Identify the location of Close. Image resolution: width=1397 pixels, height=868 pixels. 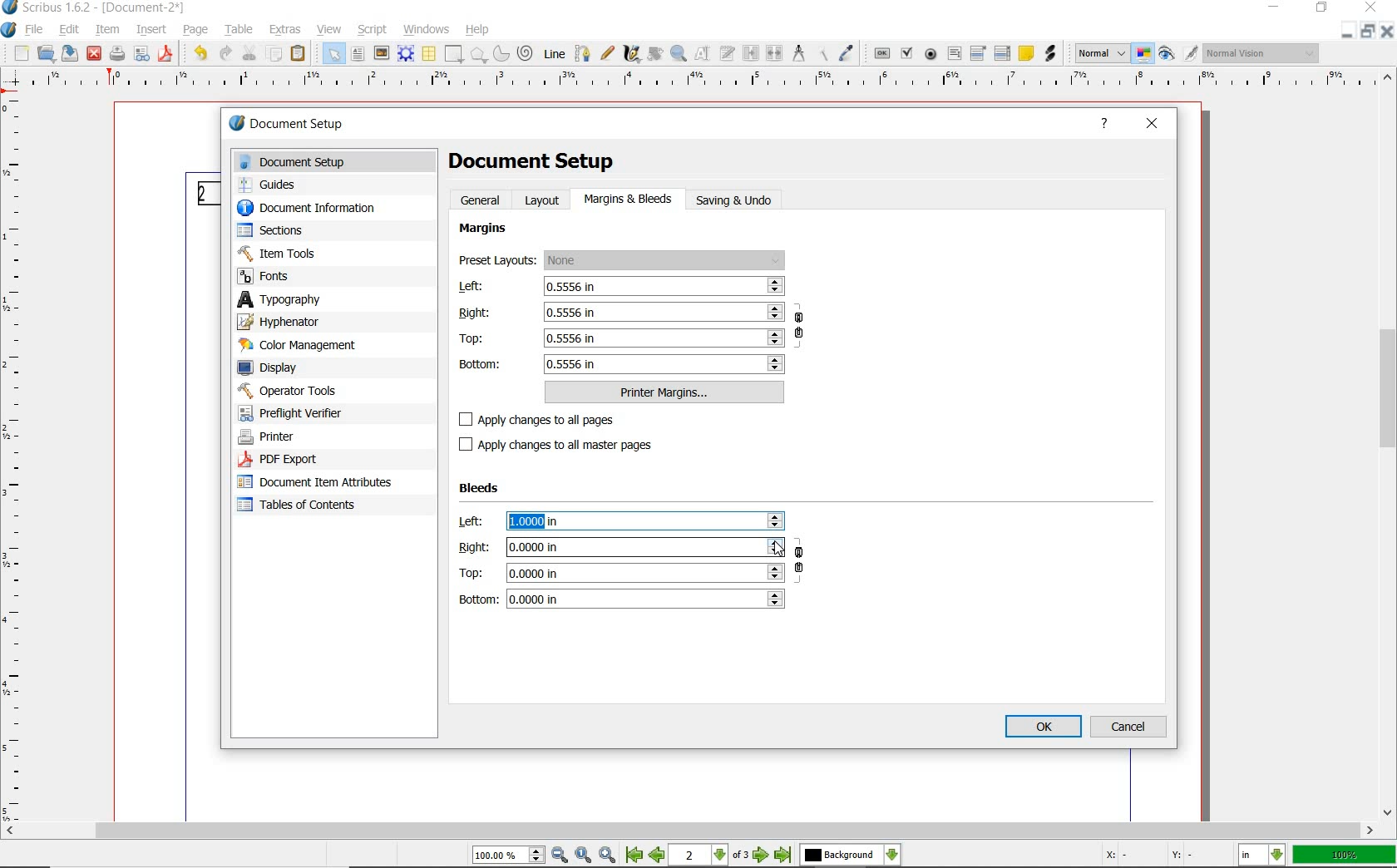
(1346, 31).